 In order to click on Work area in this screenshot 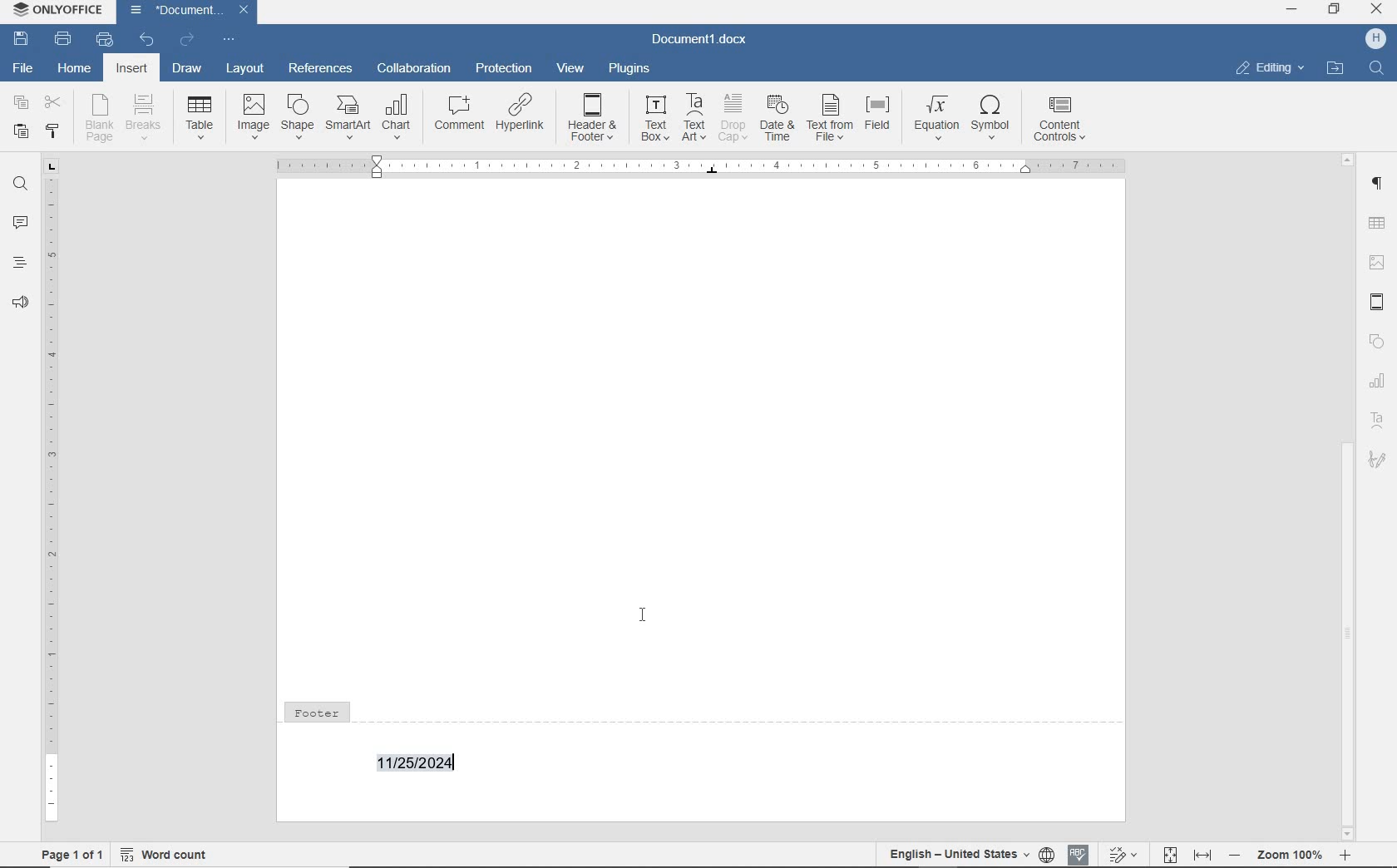, I will do `click(701, 440)`.